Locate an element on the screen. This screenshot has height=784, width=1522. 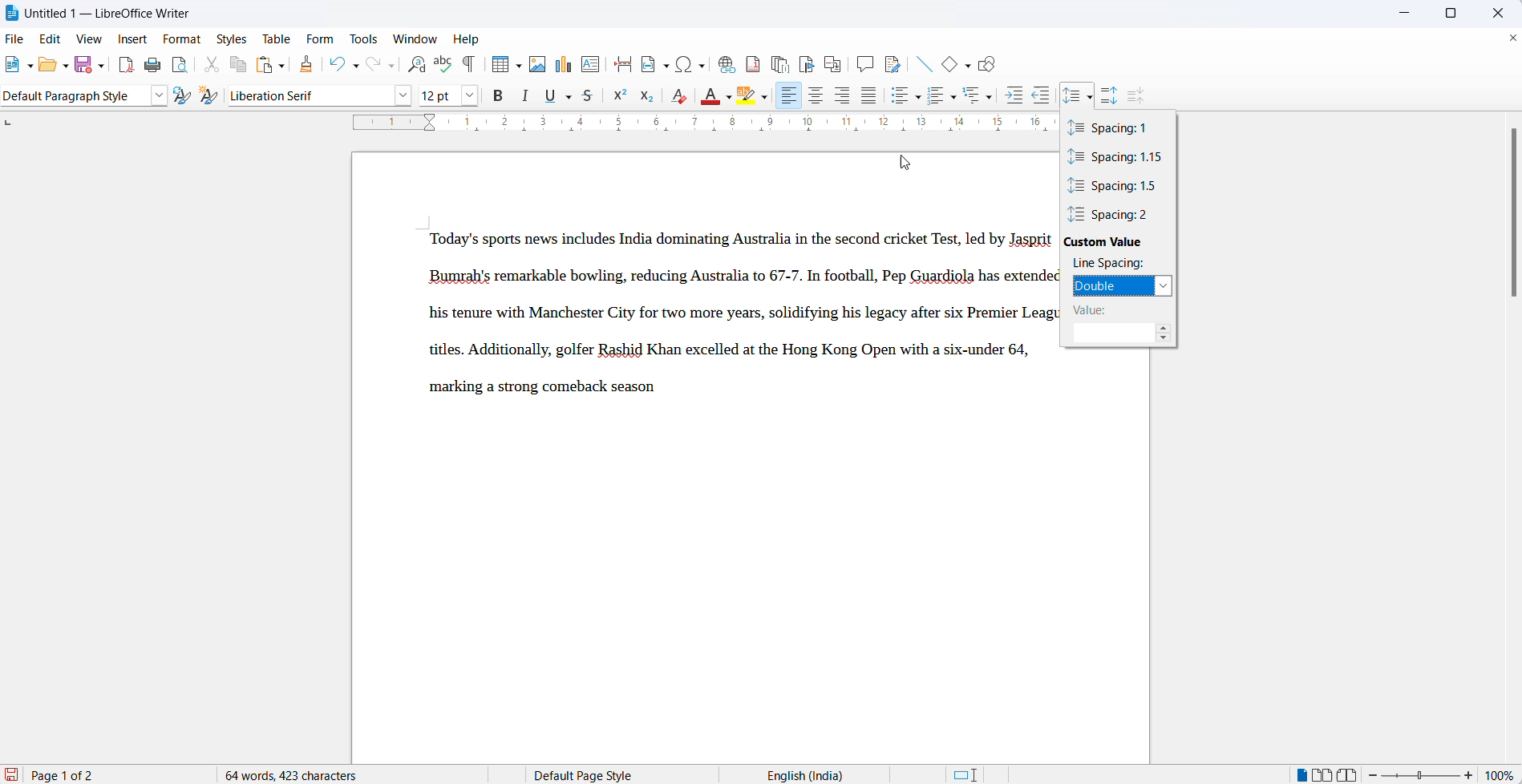
update selected styles is located at coordinates (181, 99).